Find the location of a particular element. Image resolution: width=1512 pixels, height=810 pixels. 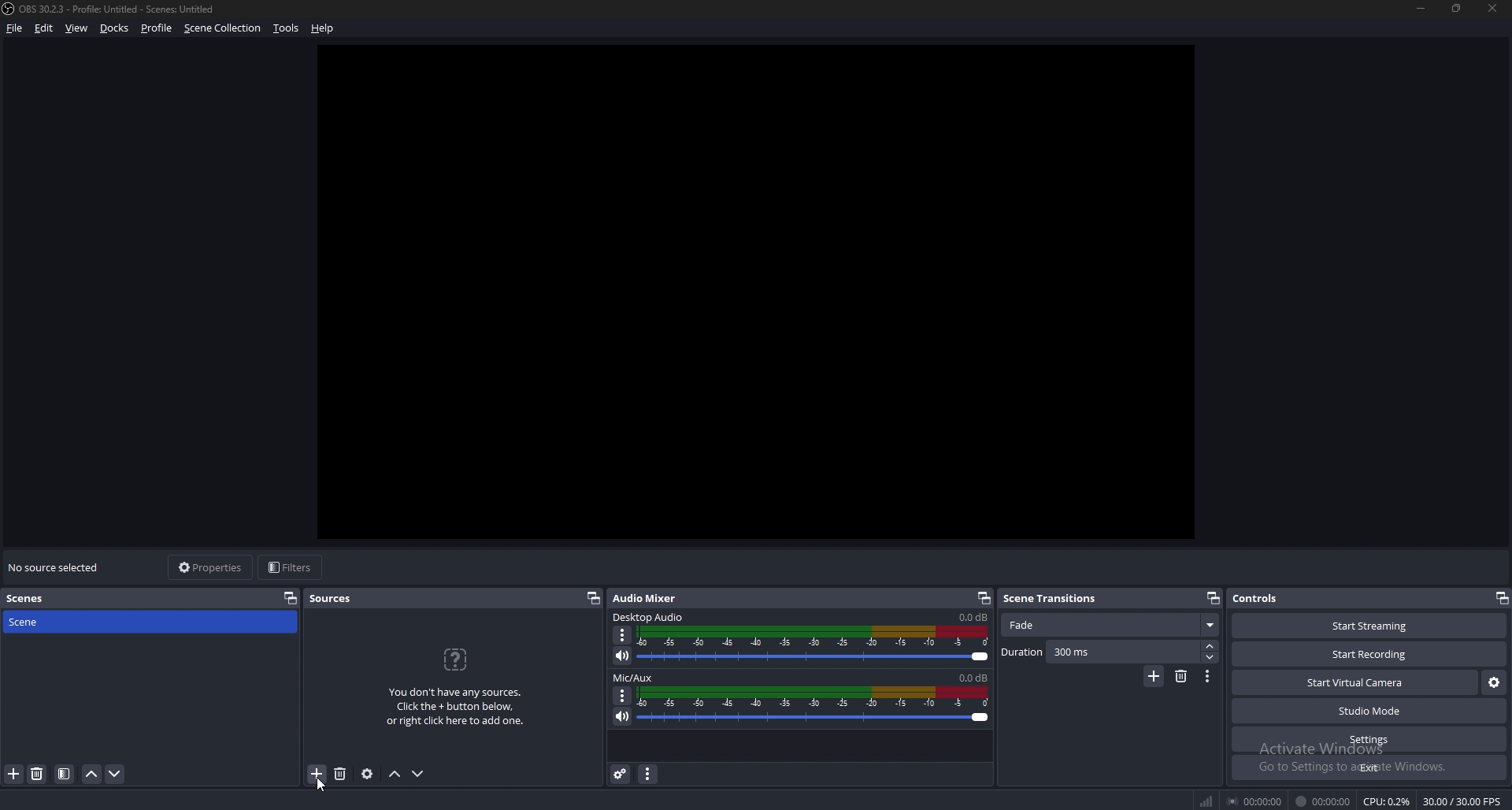

Desktop audio is located at coordinates (650, 616).